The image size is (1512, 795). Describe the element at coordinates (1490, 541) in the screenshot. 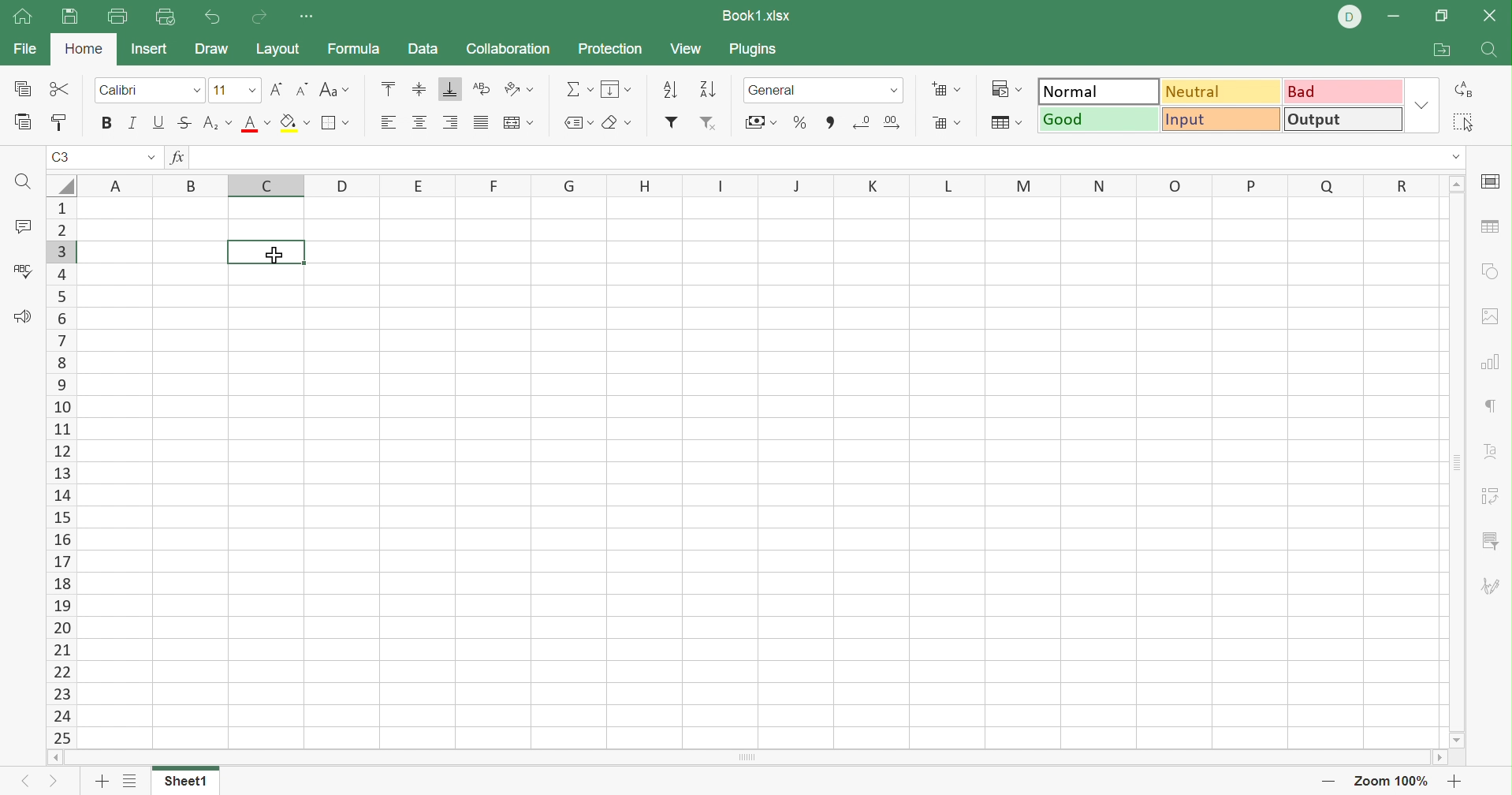

I see `Slicer settings` at that location.